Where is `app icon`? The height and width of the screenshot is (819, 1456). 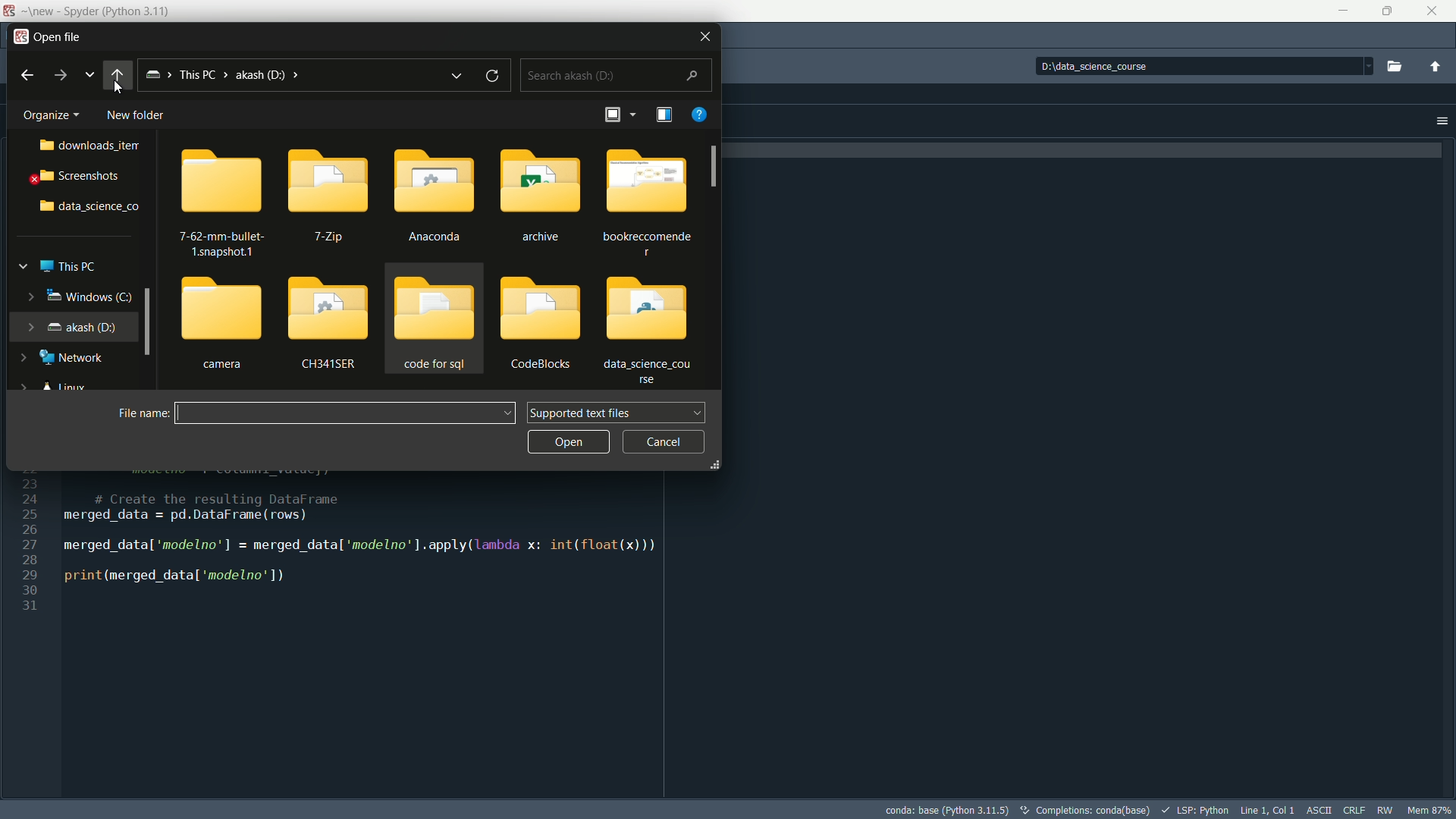 app icon is located at coordinates (11, 11).